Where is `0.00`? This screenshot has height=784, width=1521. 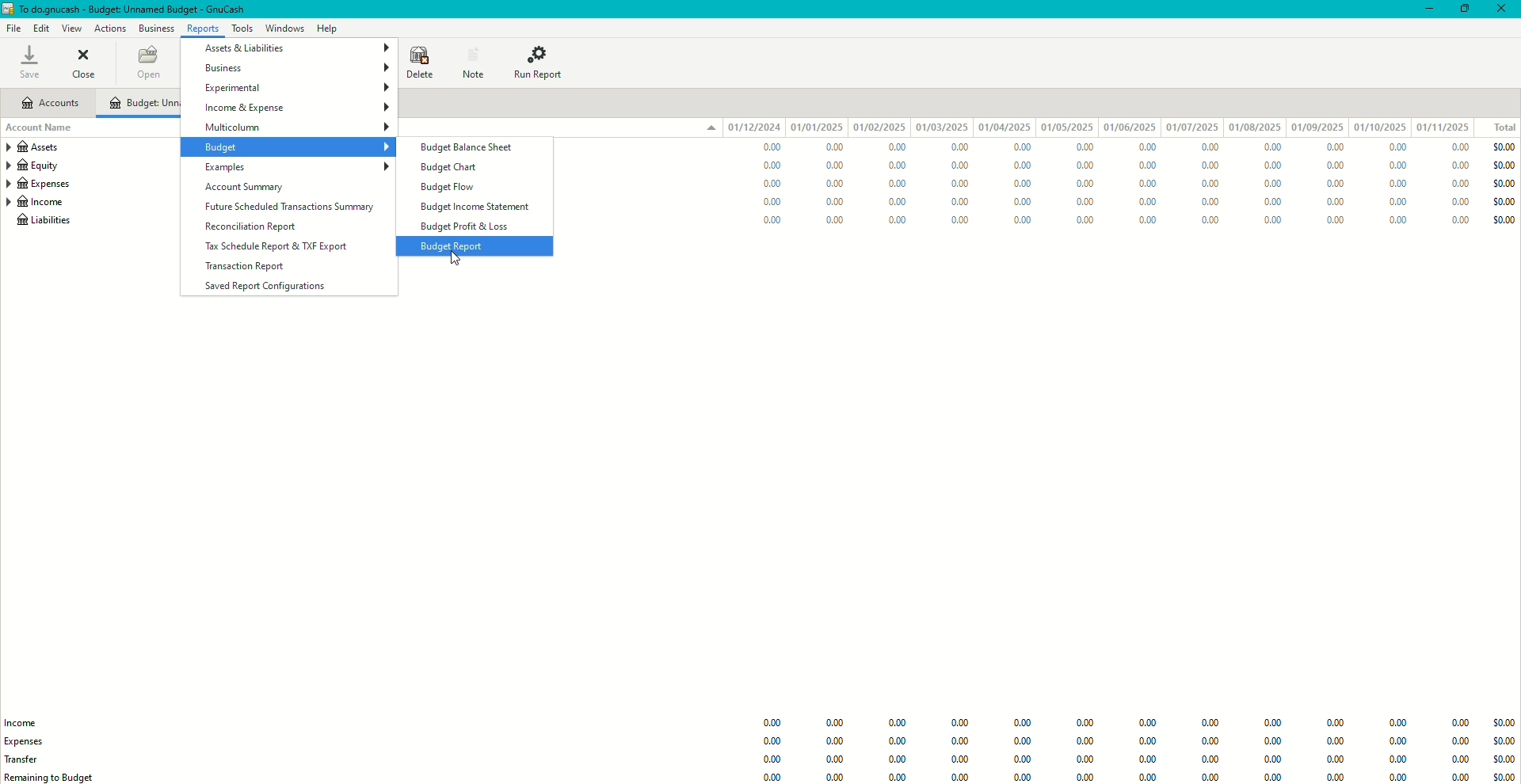 0.00 is located at coordinates (1085, 221).